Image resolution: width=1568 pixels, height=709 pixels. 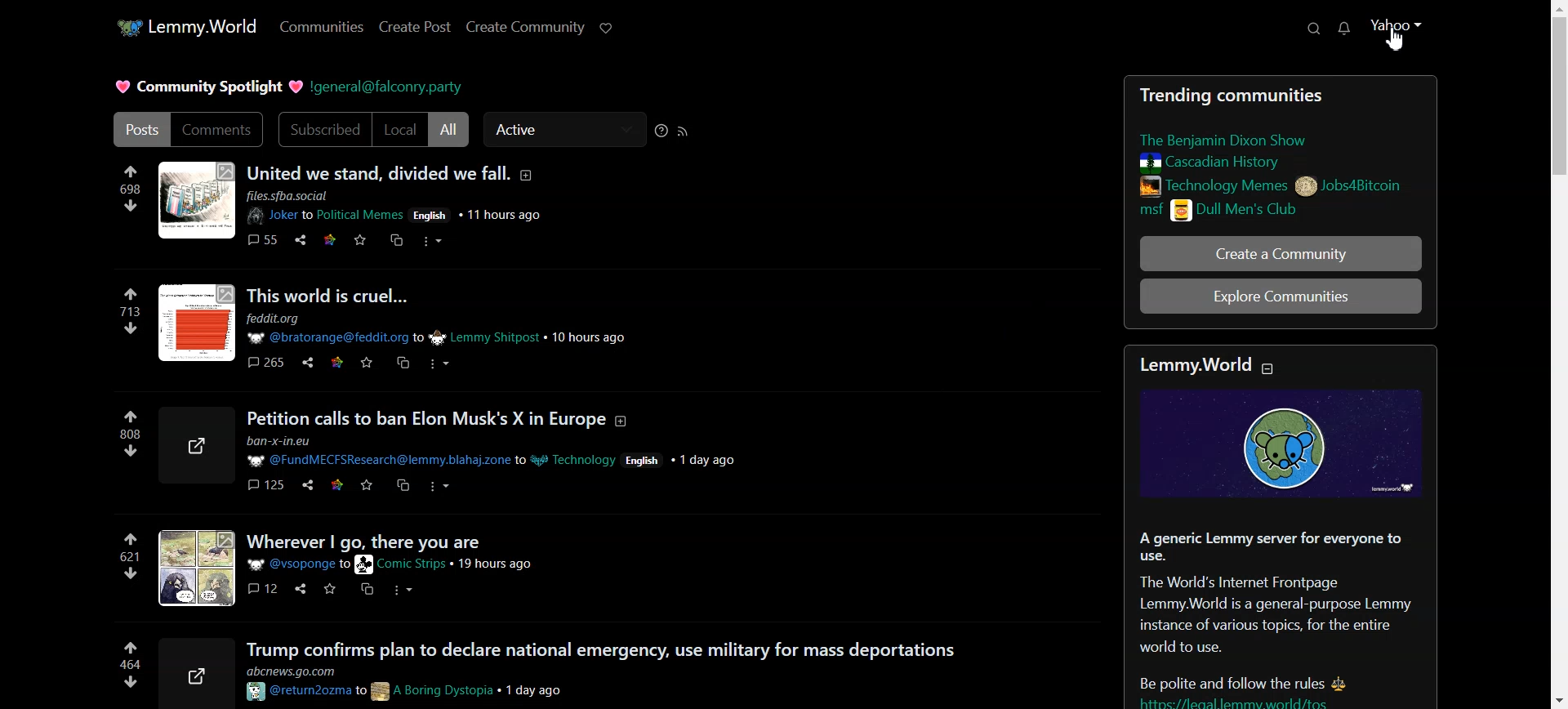 I want to click on add, so click(x=531, y=178).